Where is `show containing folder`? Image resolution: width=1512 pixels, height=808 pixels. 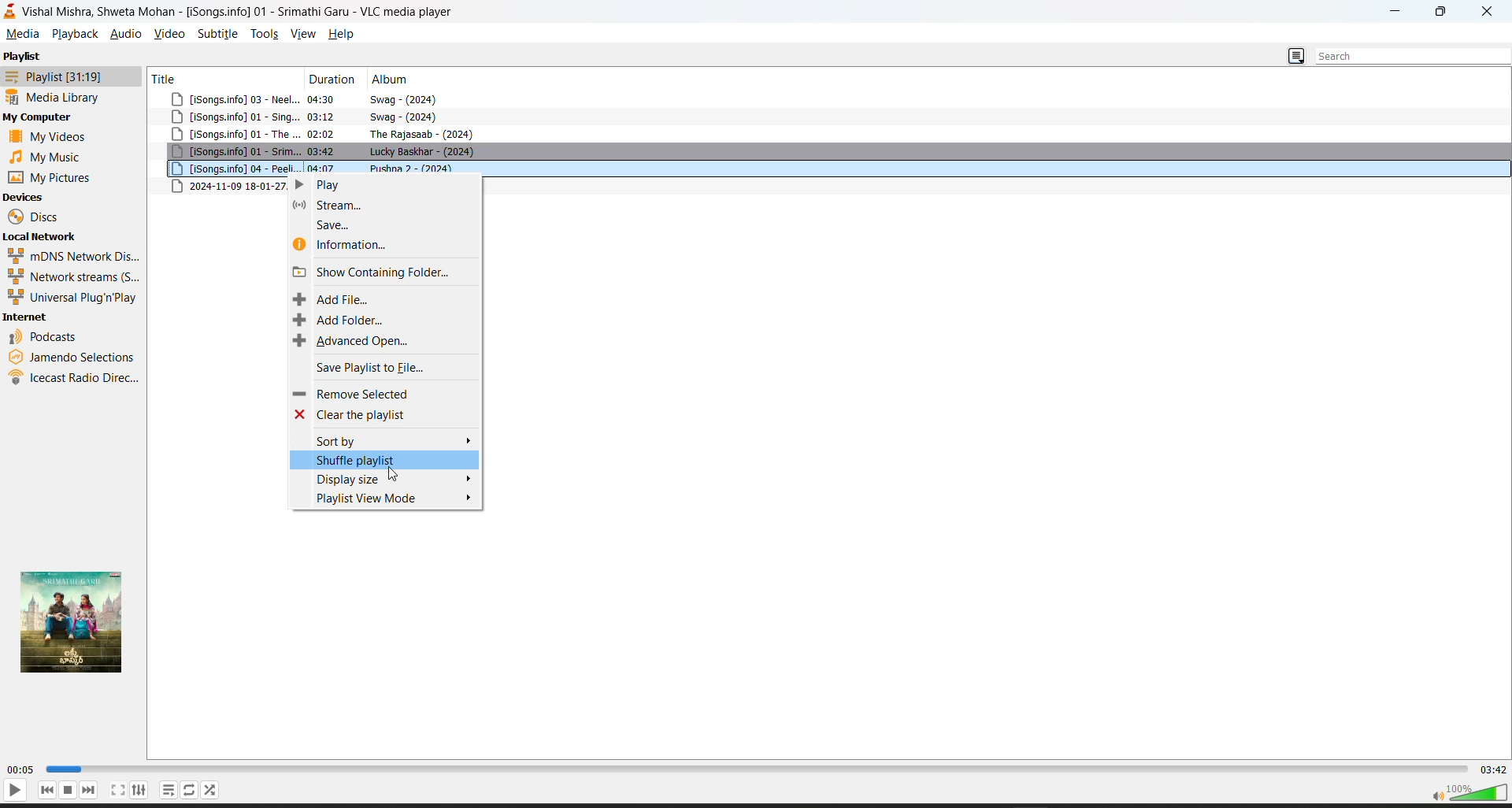 show containing folder is located at coordinates (370, 272).